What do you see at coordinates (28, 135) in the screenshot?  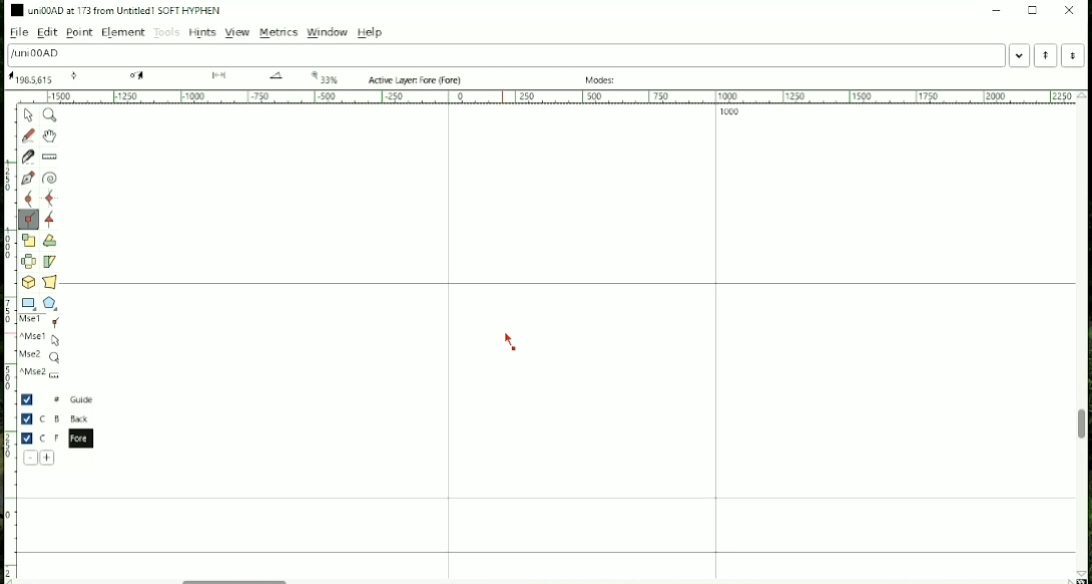 I see `Draw a freehand curve` at bounding box center [28, 135].